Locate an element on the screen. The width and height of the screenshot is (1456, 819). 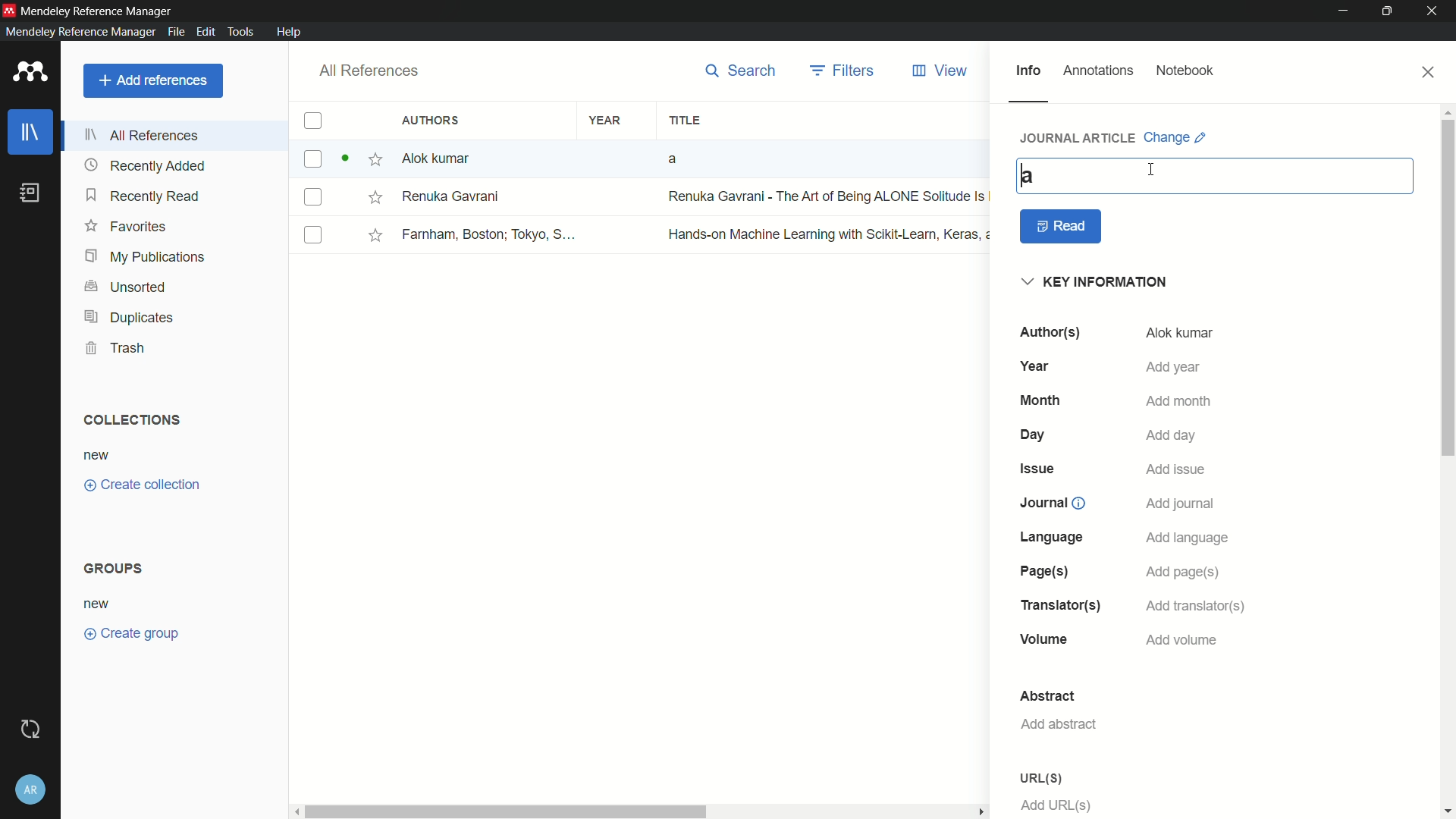
duplicates is located at coordinates (128, 318).